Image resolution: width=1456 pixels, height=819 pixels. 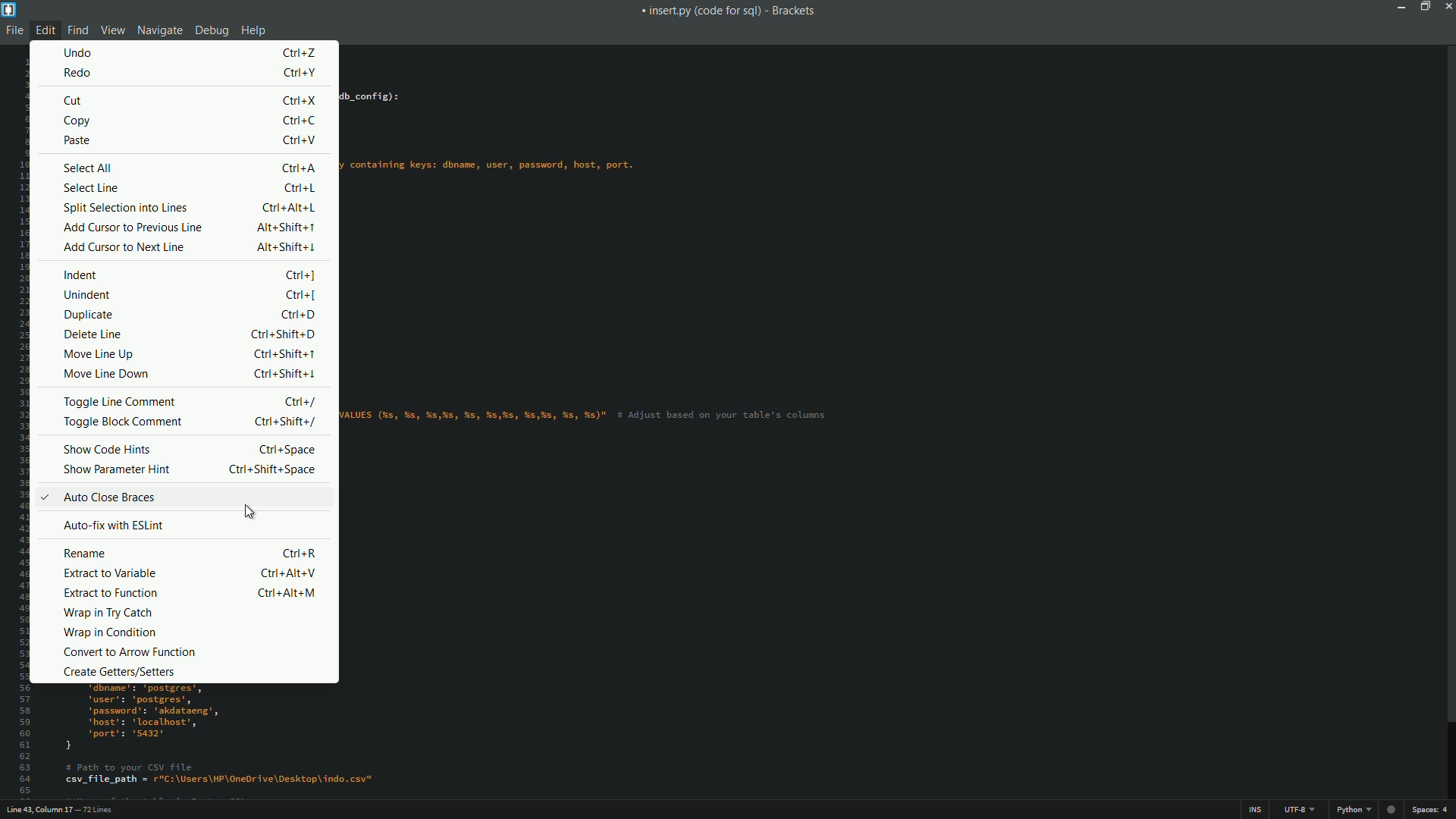 I want to click on keyboard shortcut, so click(x=300, y=142).